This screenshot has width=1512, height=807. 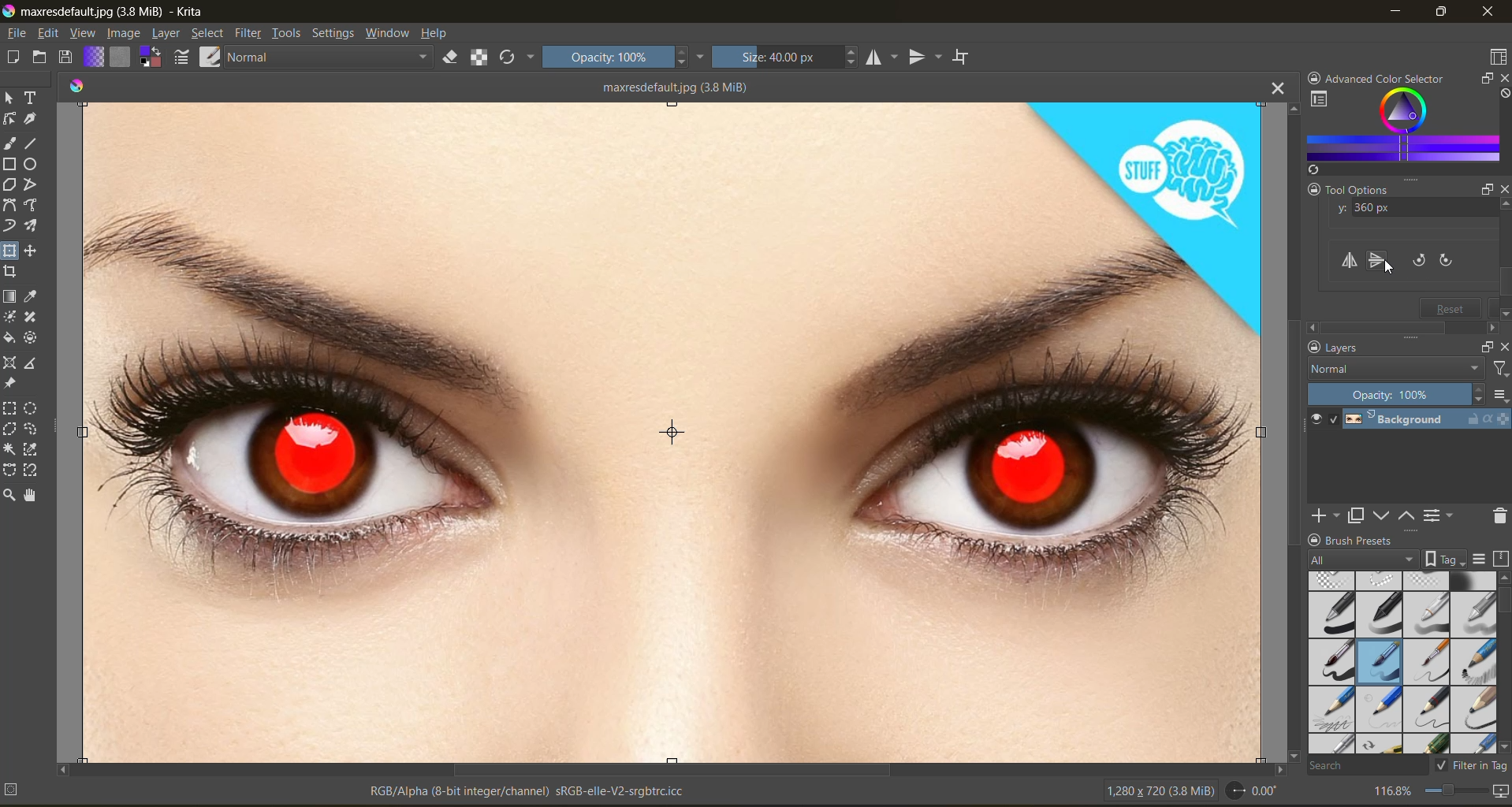 I want to click on clear all color search history, so click(x=1503, y=94).